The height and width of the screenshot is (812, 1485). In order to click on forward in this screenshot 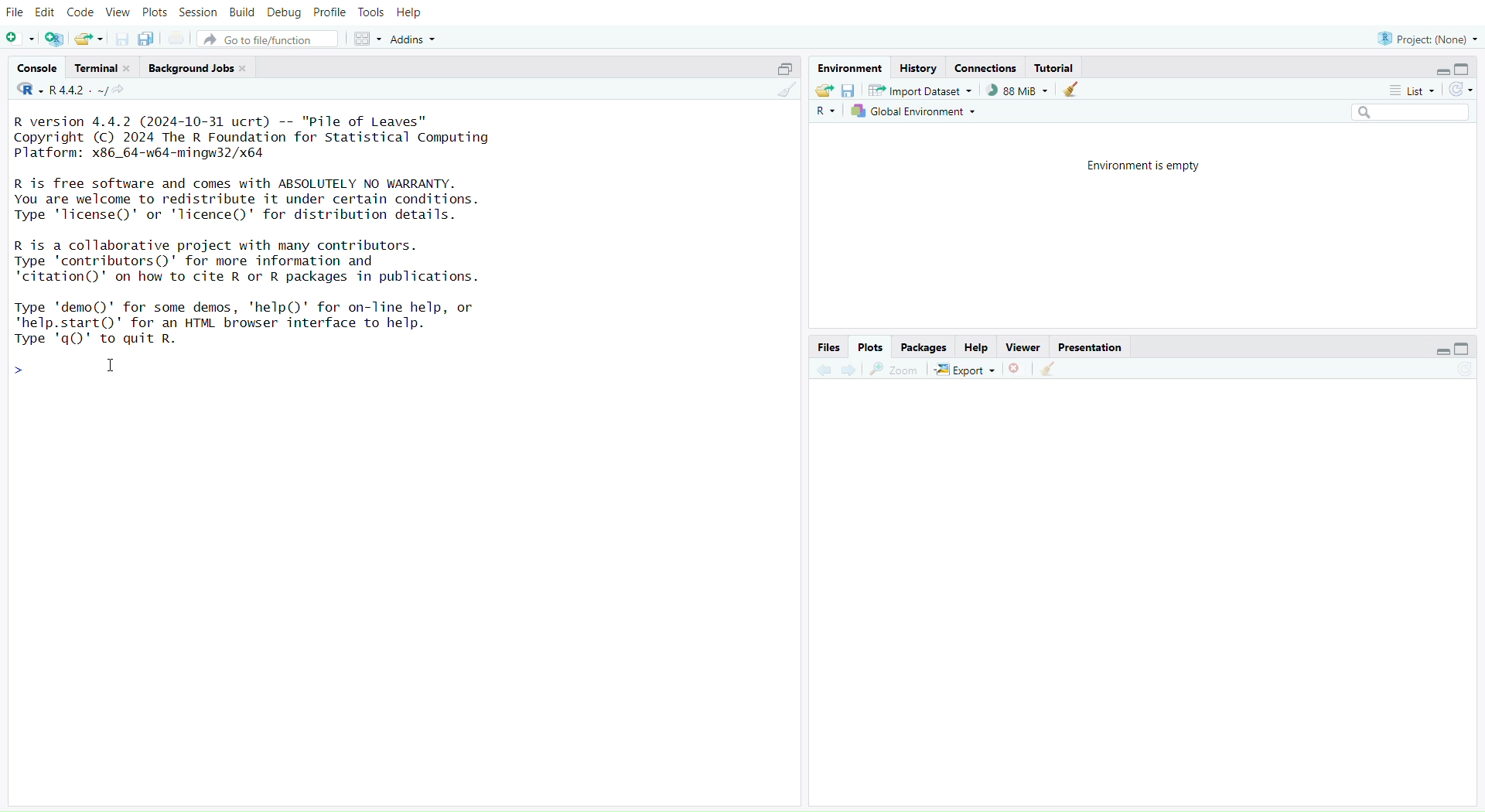, I will do `click(850, 371)`.